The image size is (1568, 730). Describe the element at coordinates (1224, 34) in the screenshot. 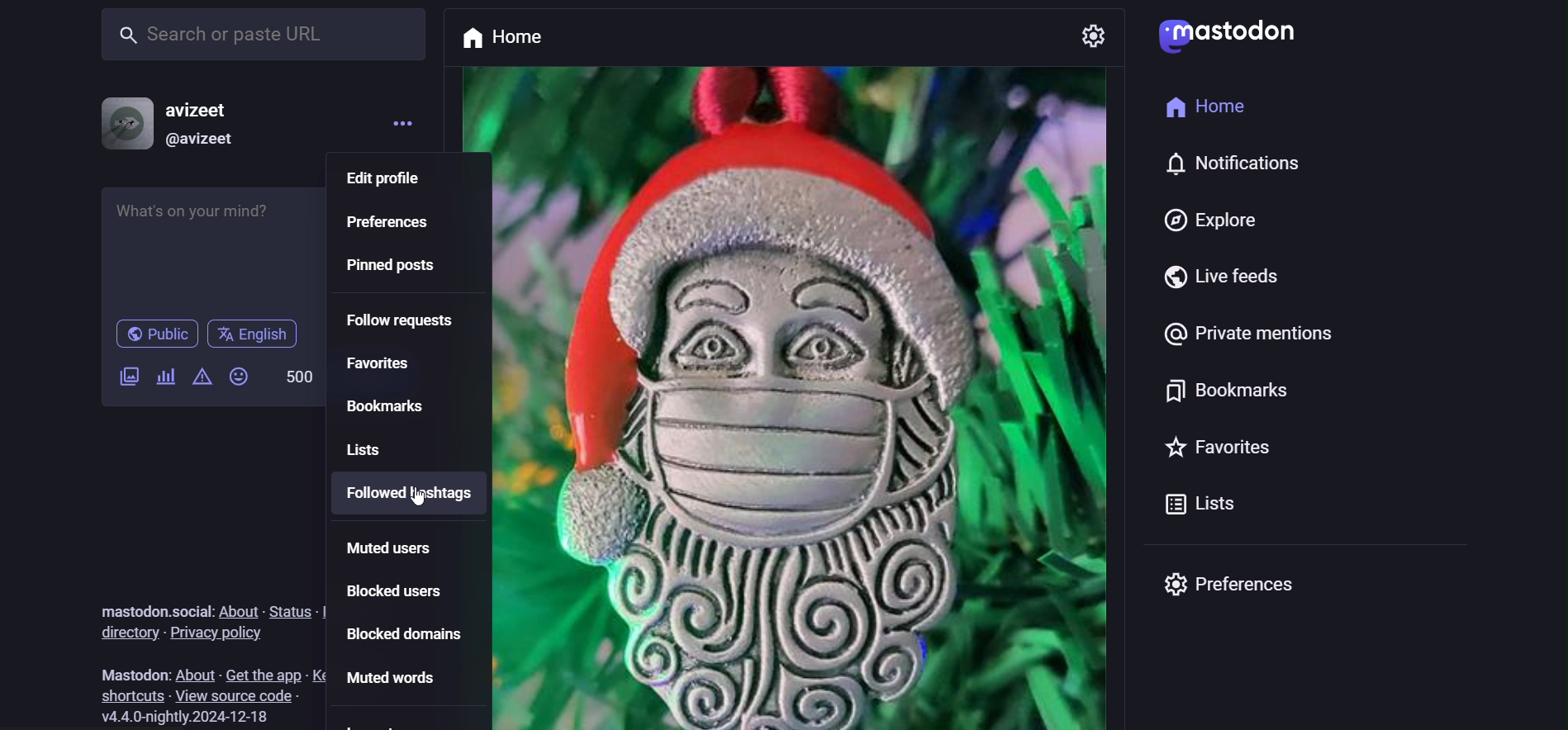

I see `mastodon` at that location.